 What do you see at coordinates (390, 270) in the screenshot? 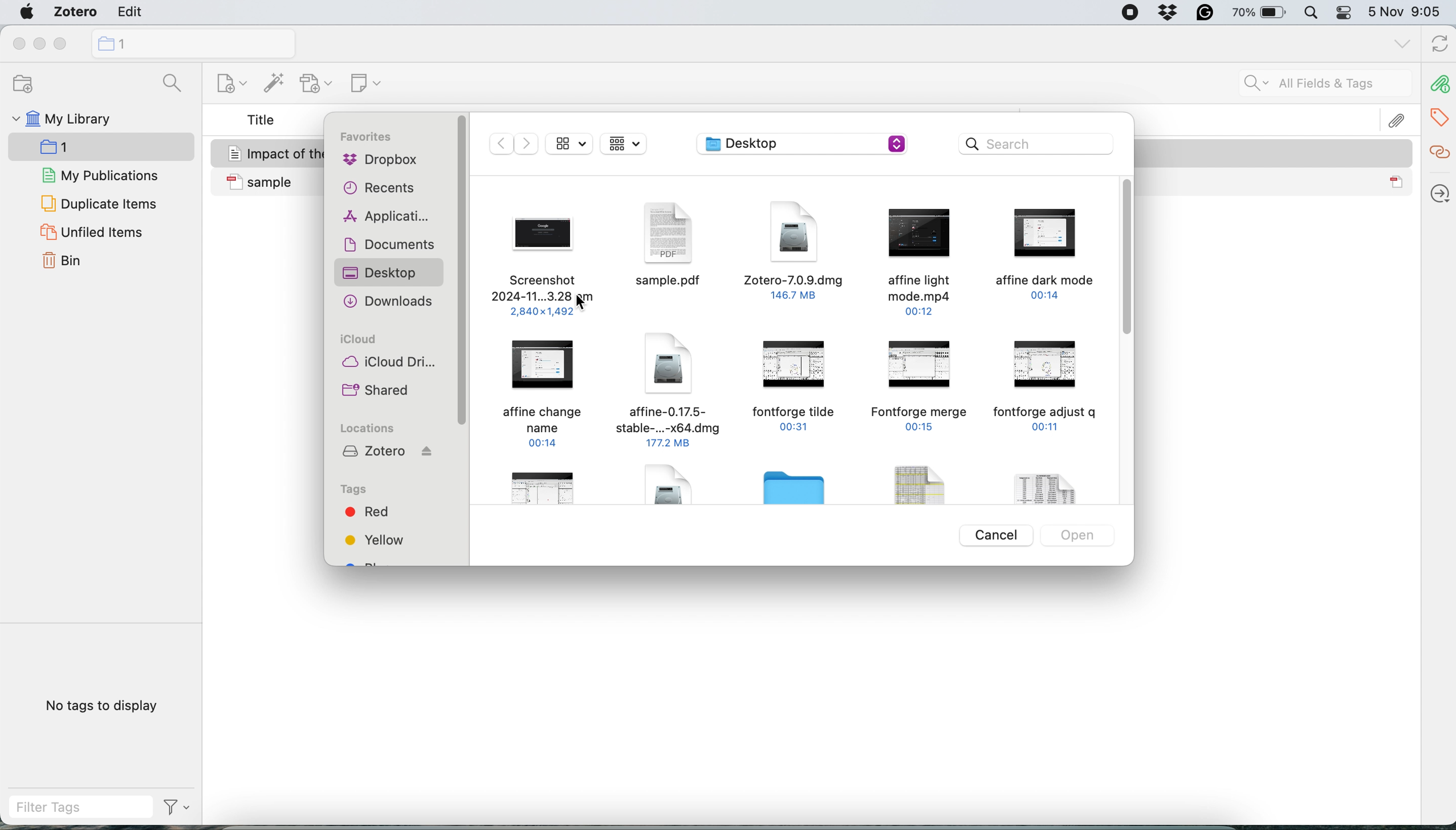
I see `desktop` at bounding box center [390, 270].